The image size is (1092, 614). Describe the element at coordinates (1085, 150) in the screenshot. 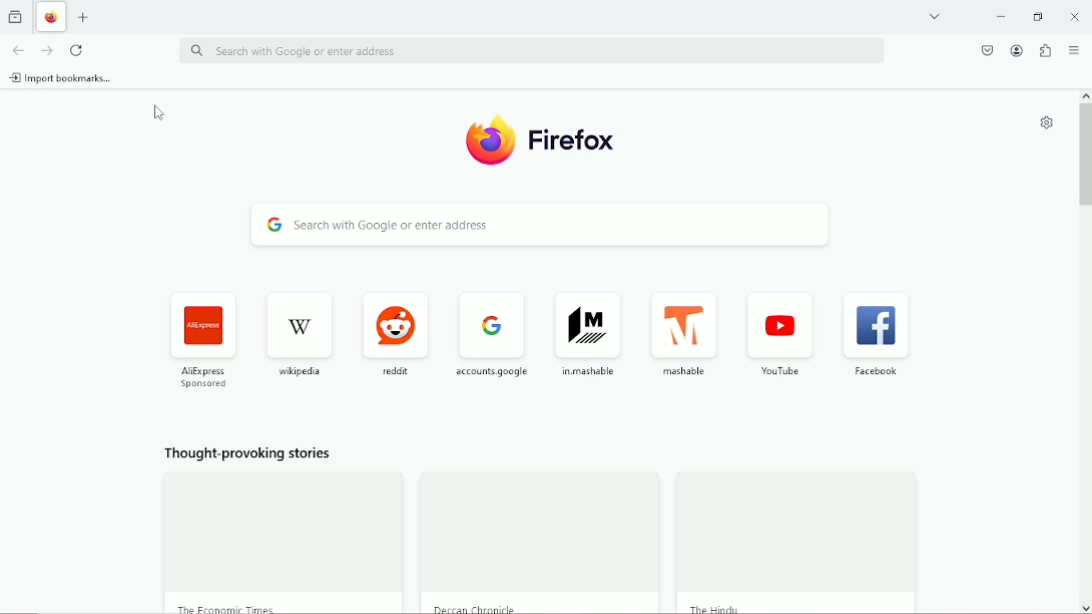

I see `Vertical scroll bar` at that location.